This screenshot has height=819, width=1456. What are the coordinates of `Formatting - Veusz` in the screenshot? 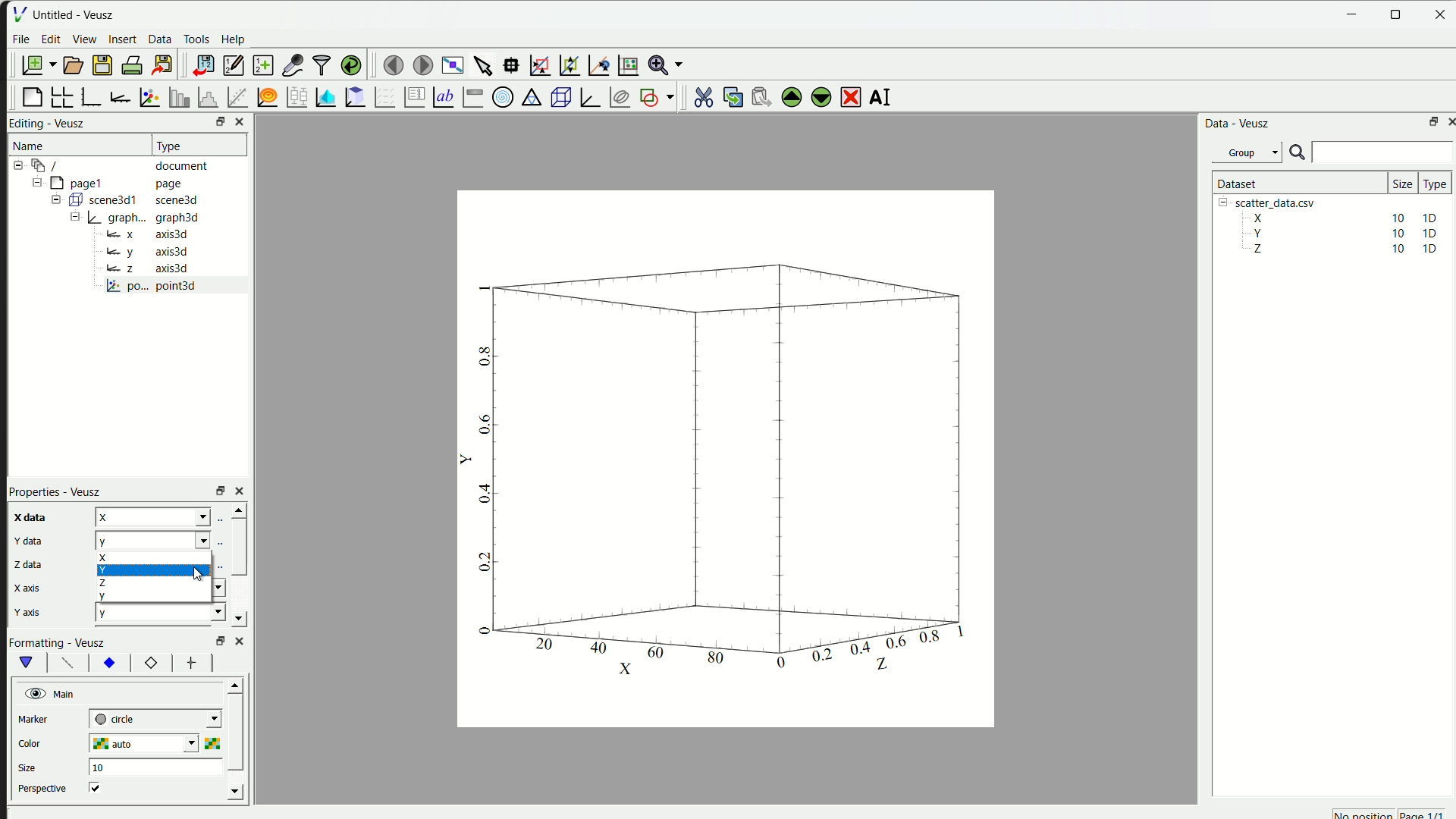 It's located at (64, 642).